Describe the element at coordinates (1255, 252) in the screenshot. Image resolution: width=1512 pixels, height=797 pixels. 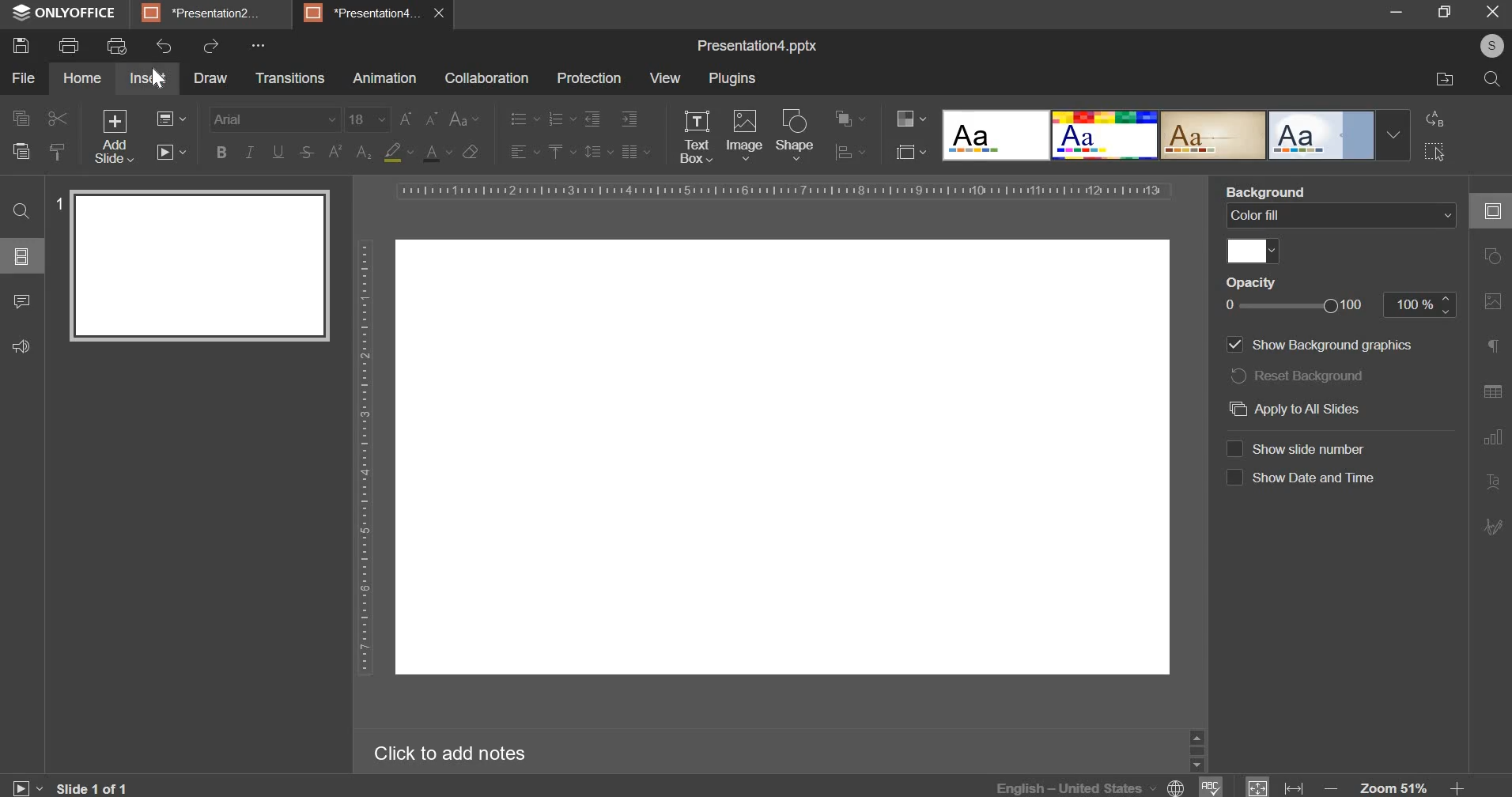
I see `fill color` at that location.